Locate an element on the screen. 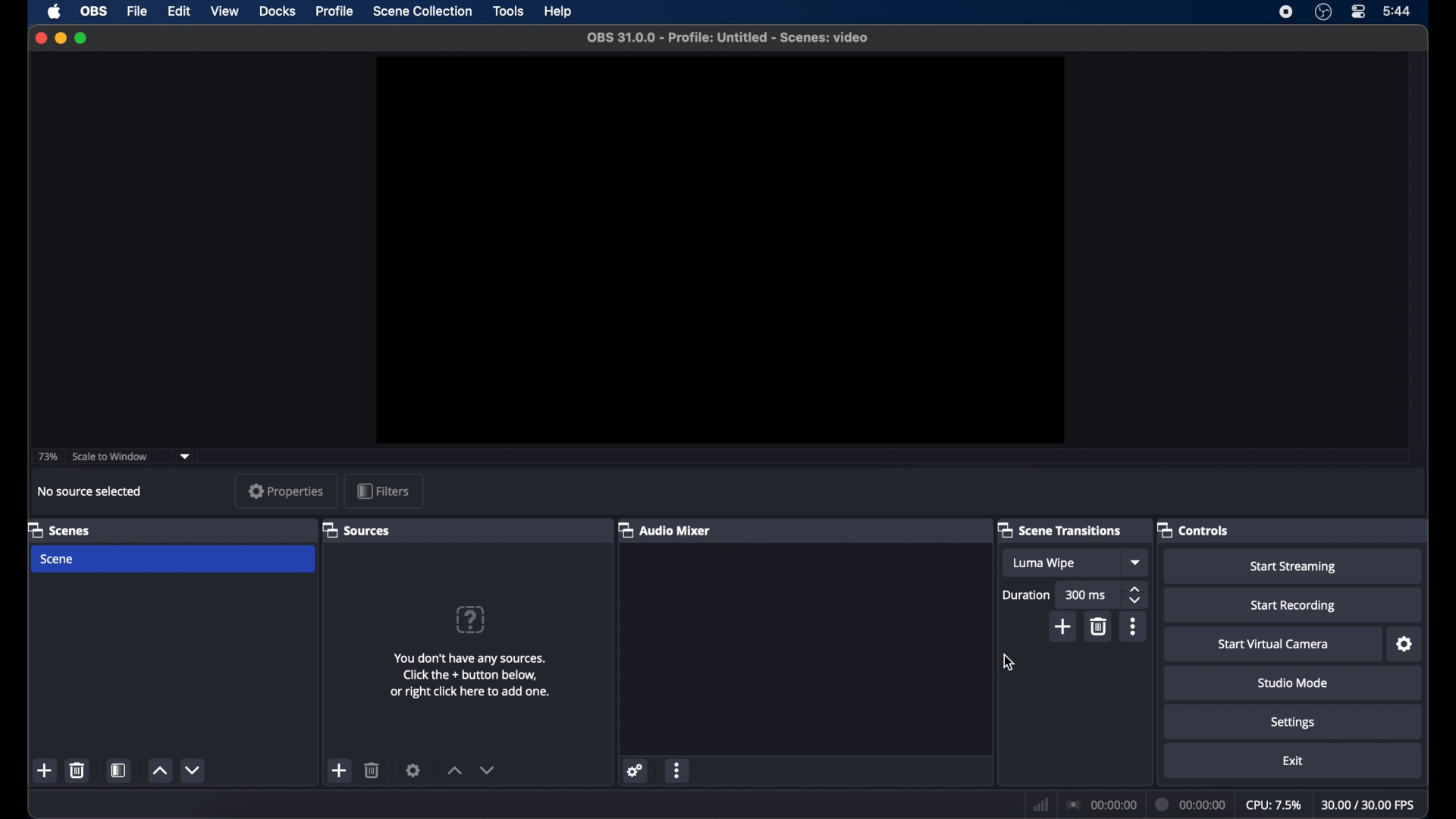 This screenshot has width=1456, height=819. start virtual camera is located at coordinates (1273, 644).